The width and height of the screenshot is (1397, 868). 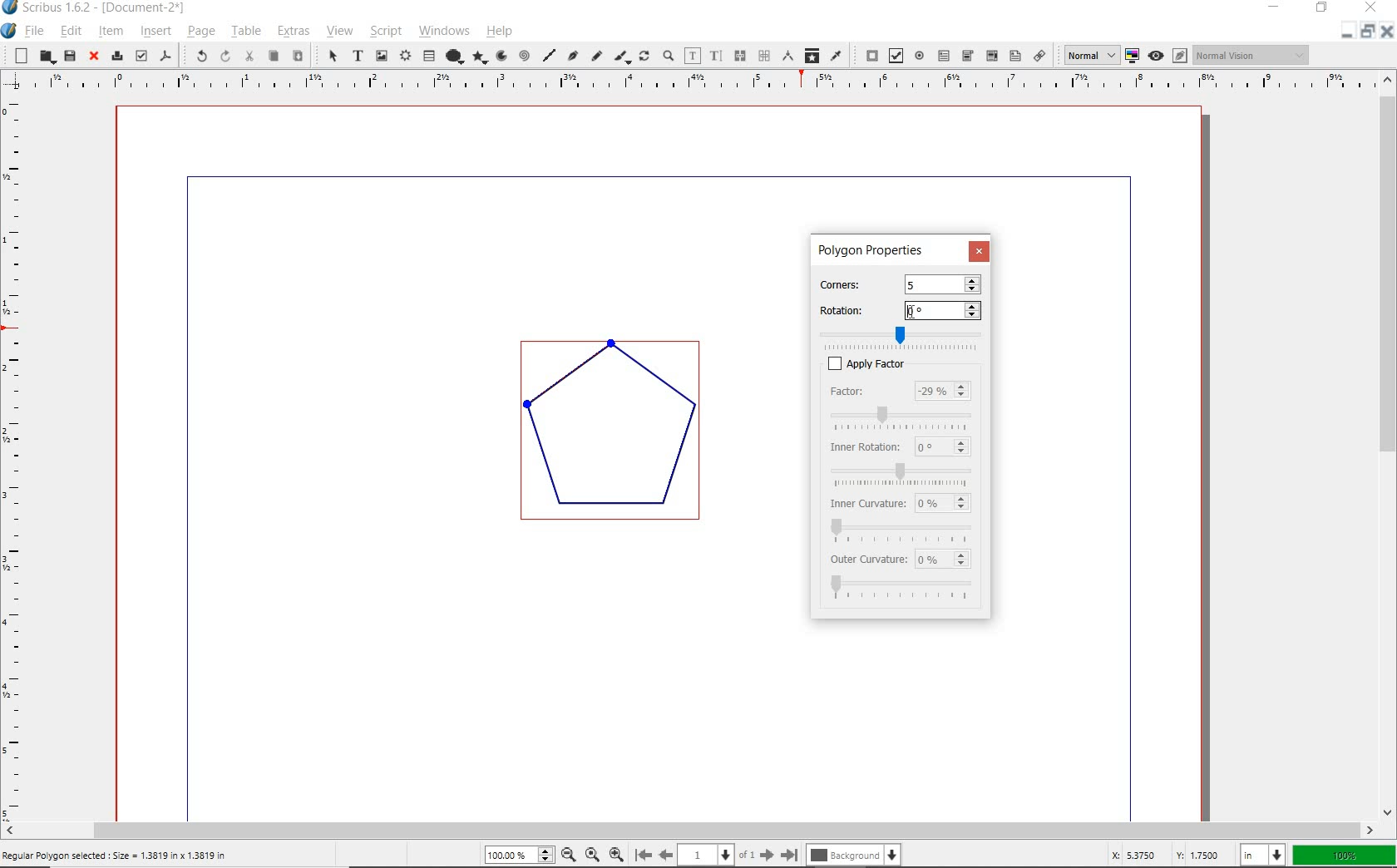 What do you see at coordinates (69, 55) in the screenshot?
I see `save` at bounding box center [69, 55].